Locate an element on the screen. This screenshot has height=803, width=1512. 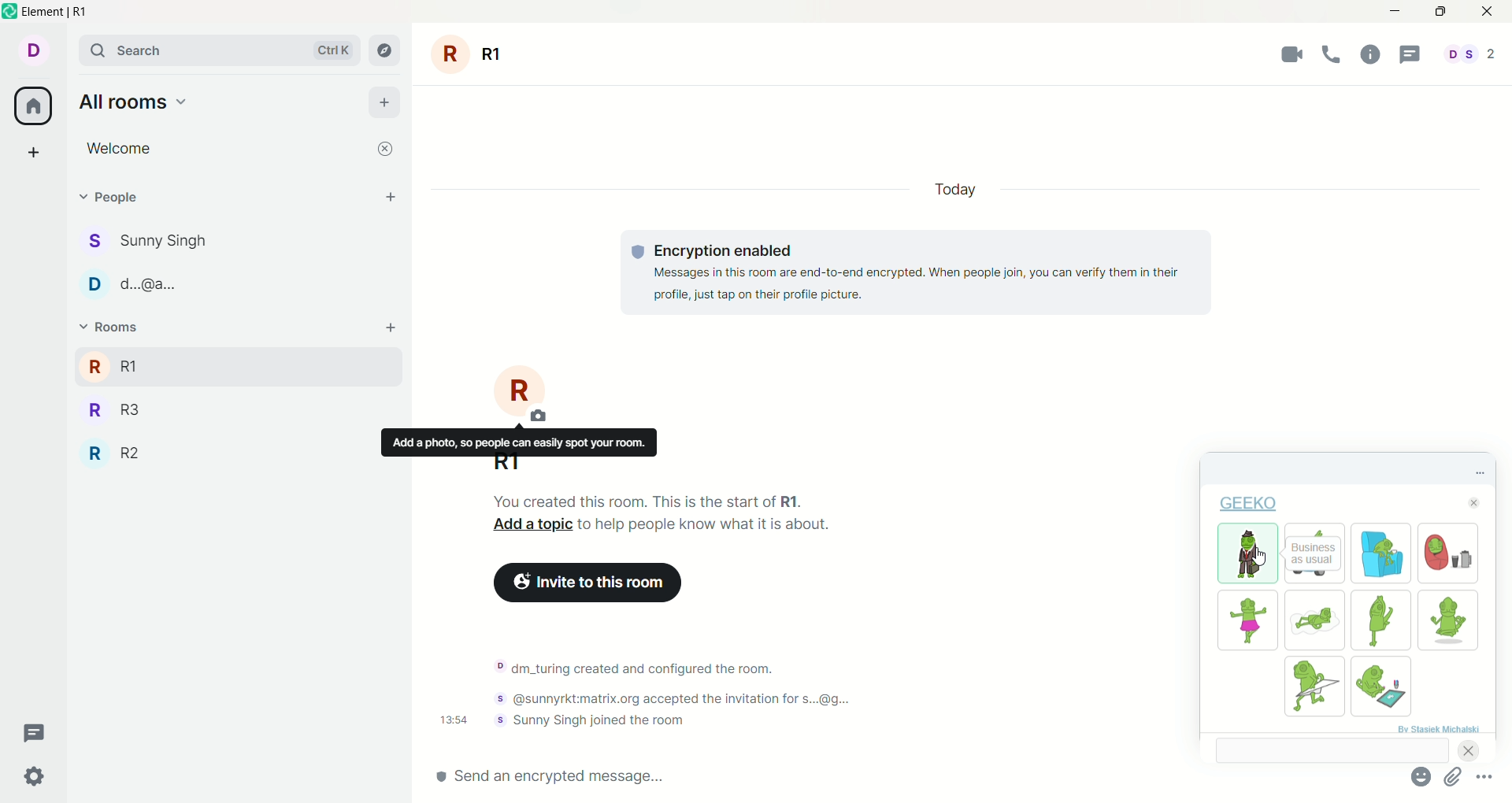
Time notification was sent is located at coordinates (454, 720).